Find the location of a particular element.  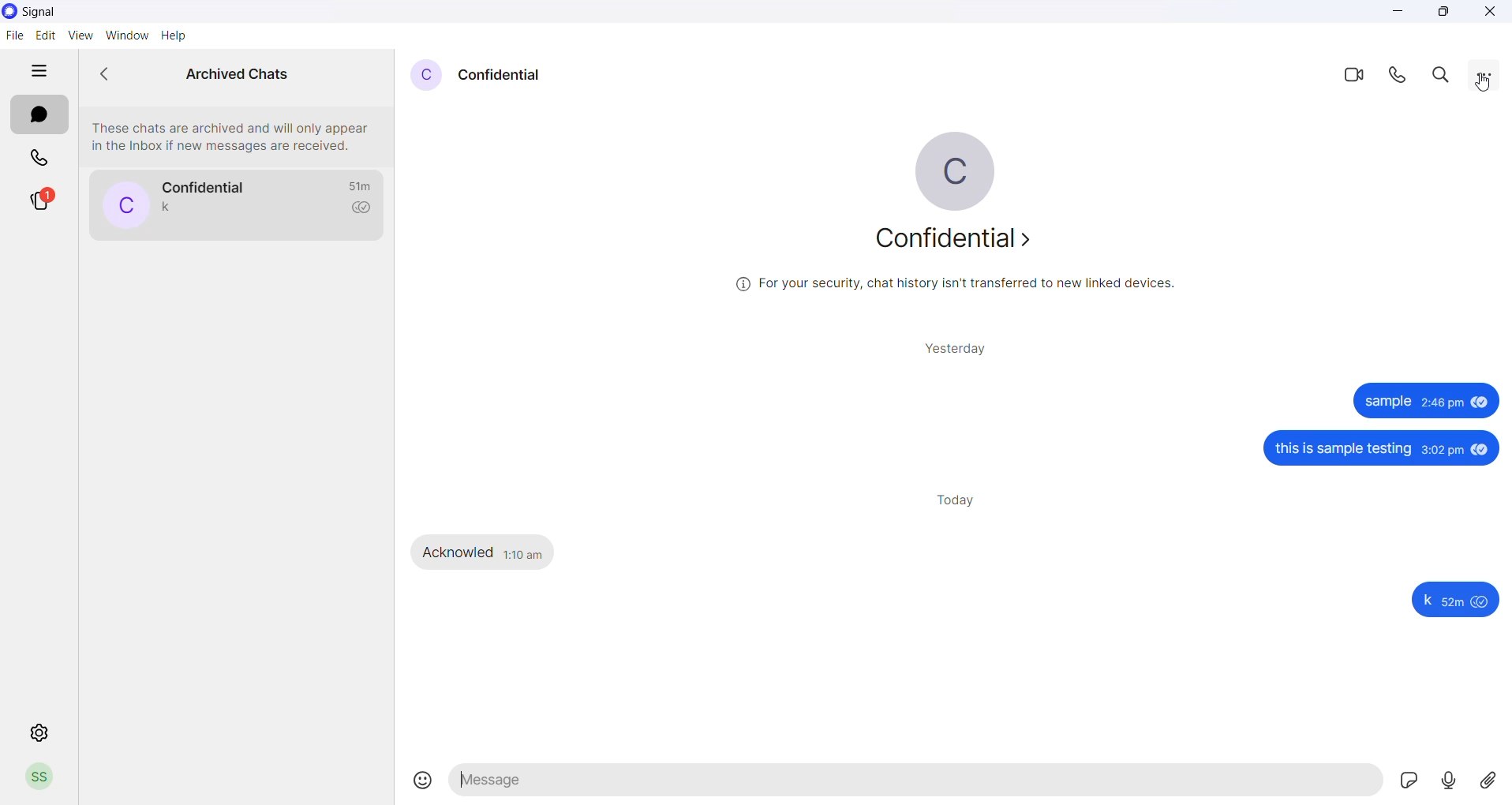

1:10 am is located at coordinates (526, 554).